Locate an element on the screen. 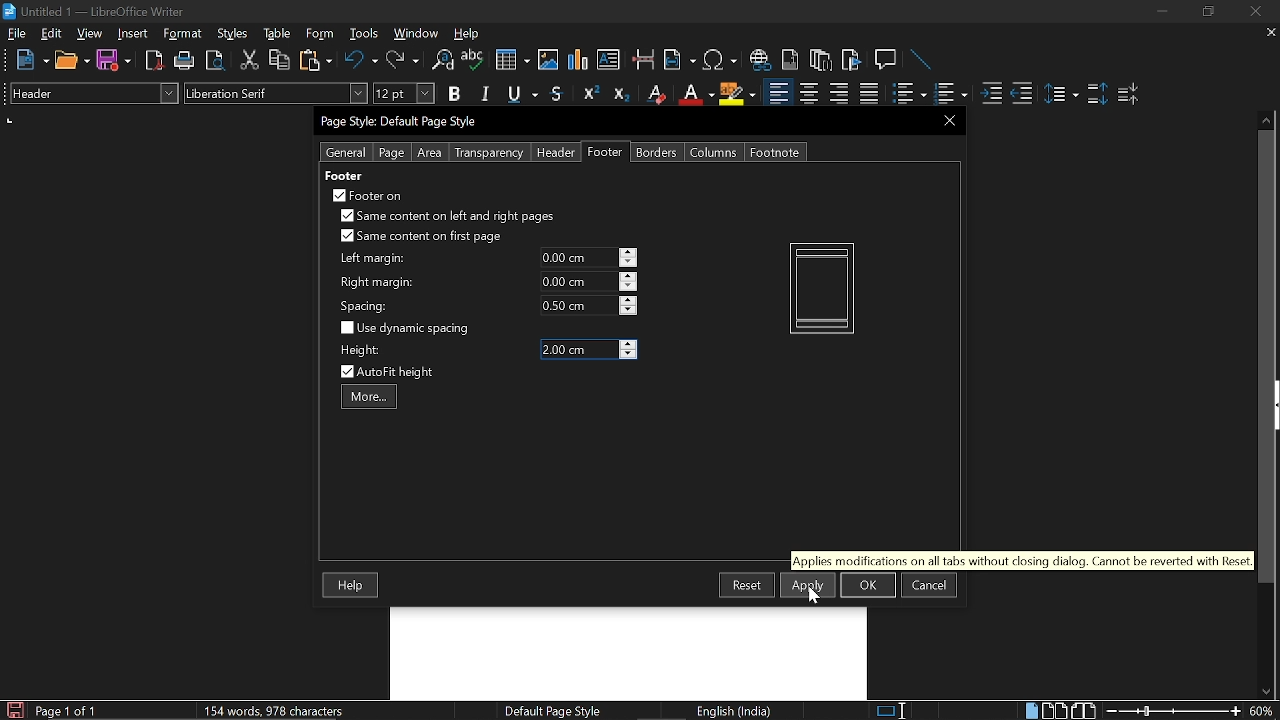 Image resolution: width=1280 pixels, height=720 pixels. cancel is located at coordinates (929, 585).